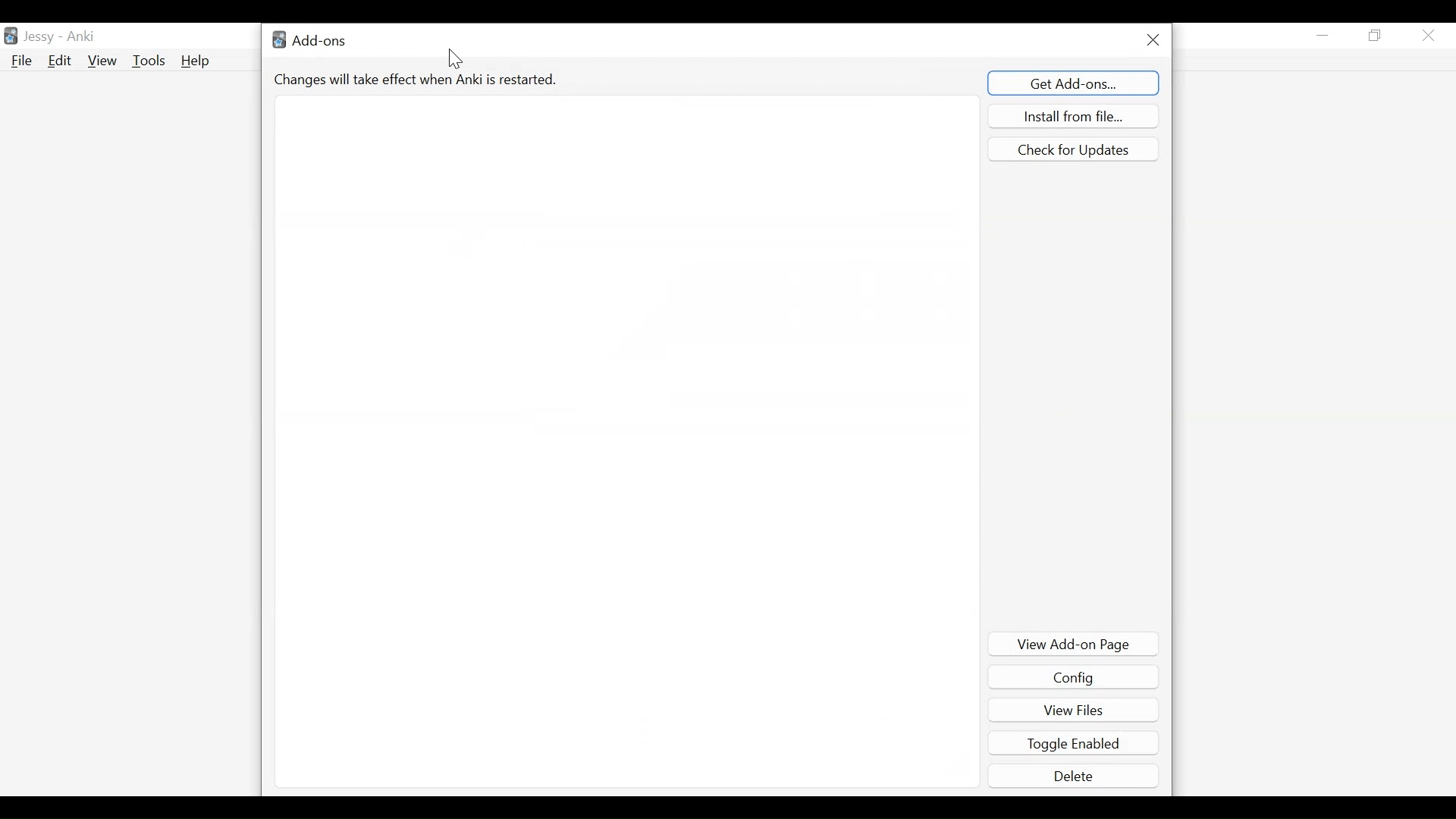 This screenshot has width=1456, height=819. I want to click on Delete, so click(1075, 775).